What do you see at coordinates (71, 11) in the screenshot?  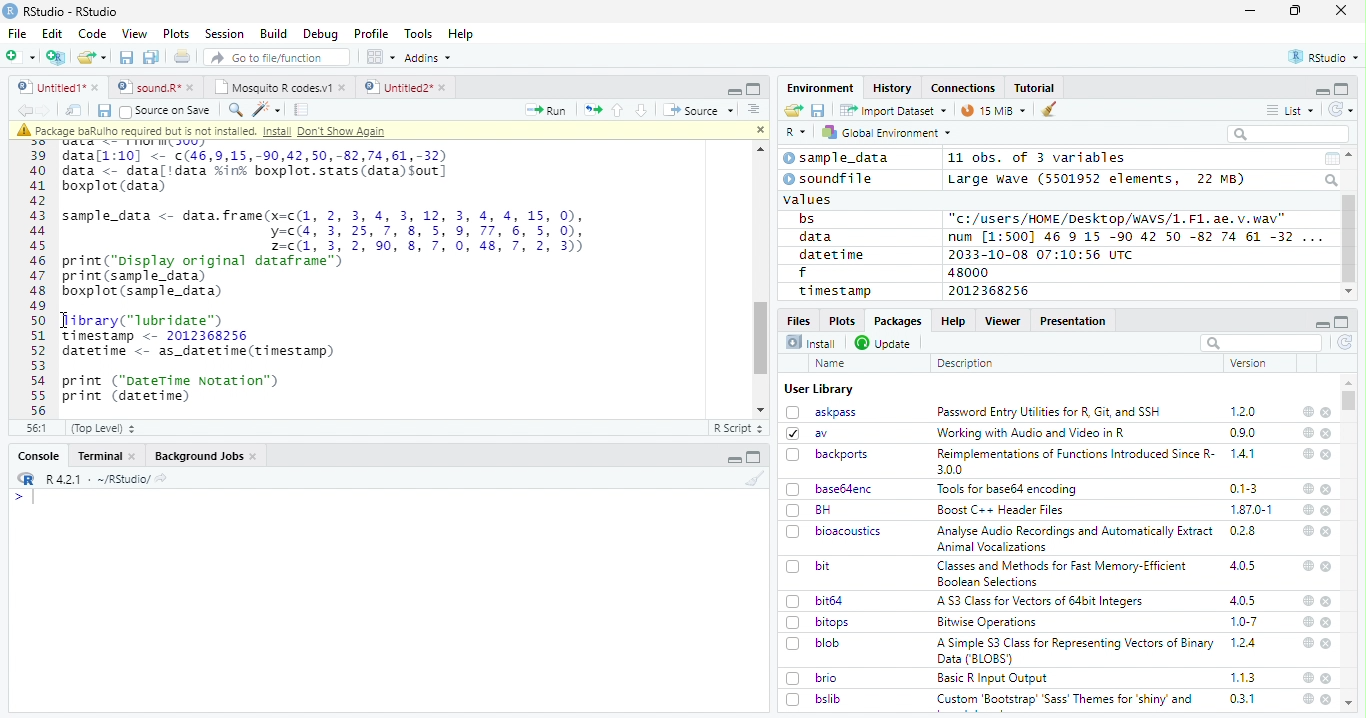 I see `RStudio - RStudio` at bounding box center [71, 11].